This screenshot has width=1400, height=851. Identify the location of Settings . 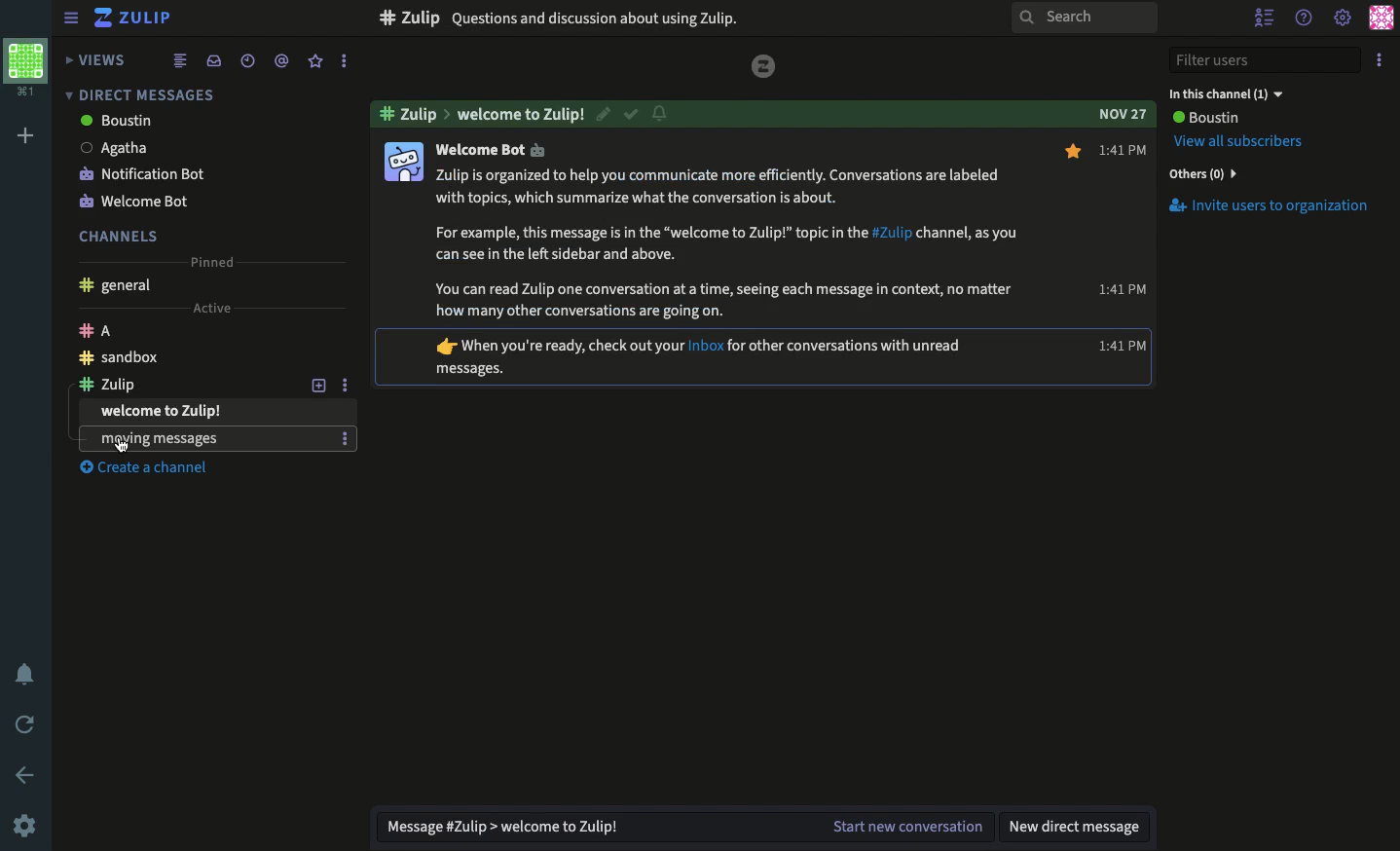
(1342, 19).